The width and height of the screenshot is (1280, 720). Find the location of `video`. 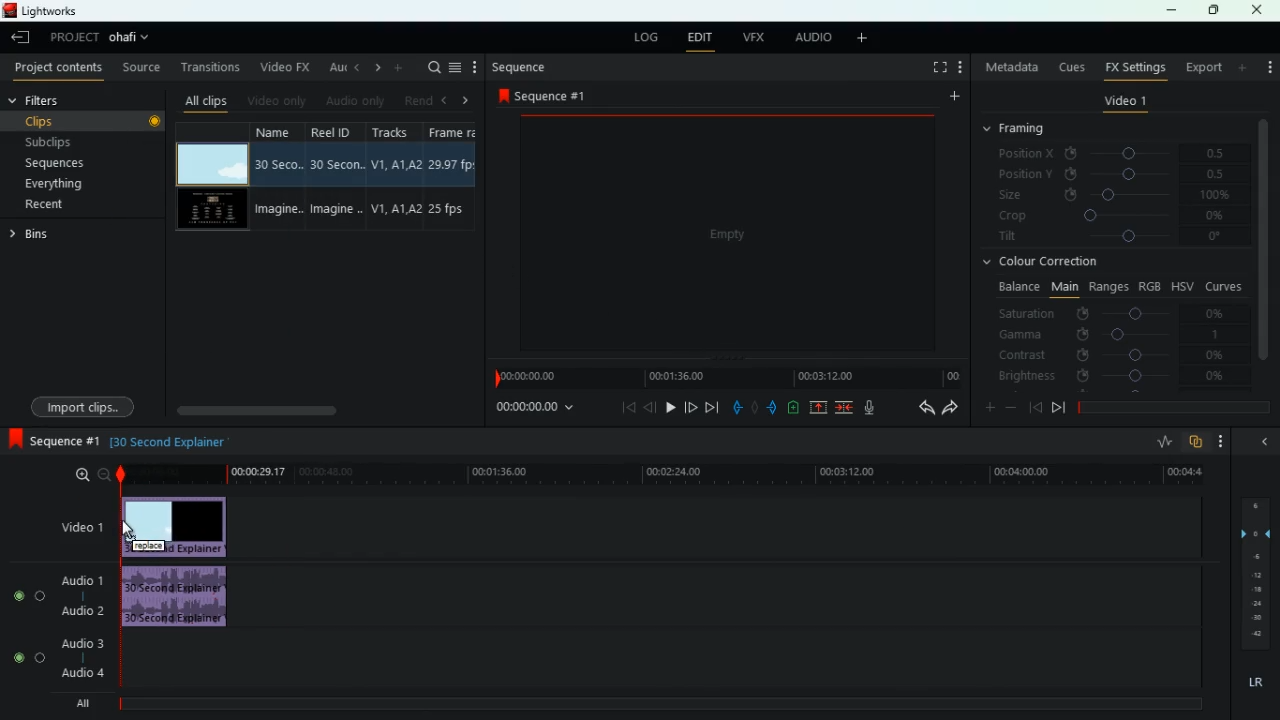

video is located at coordinates (178, 524).